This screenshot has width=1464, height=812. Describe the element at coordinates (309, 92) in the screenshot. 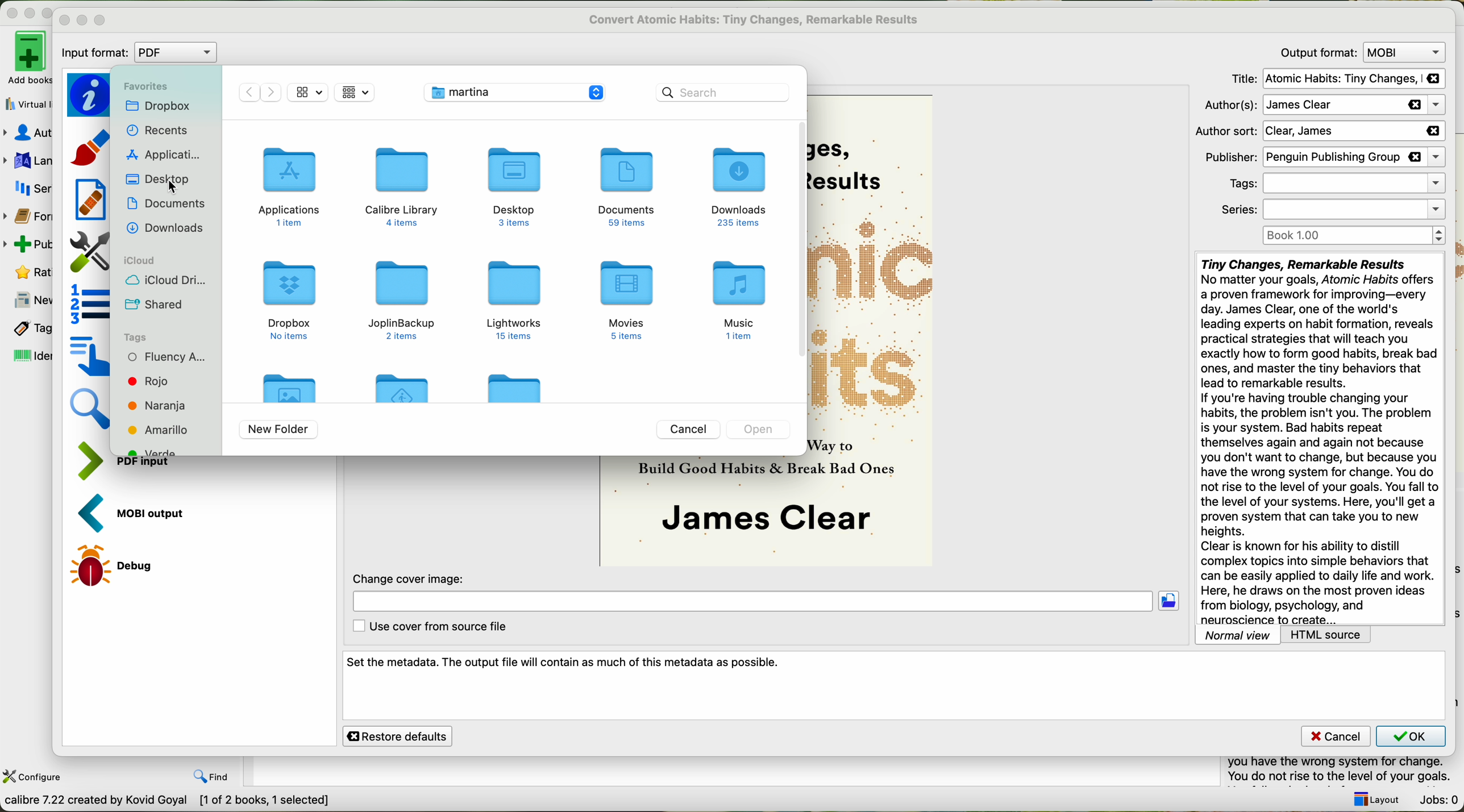

I see `mosaic view` at that location.